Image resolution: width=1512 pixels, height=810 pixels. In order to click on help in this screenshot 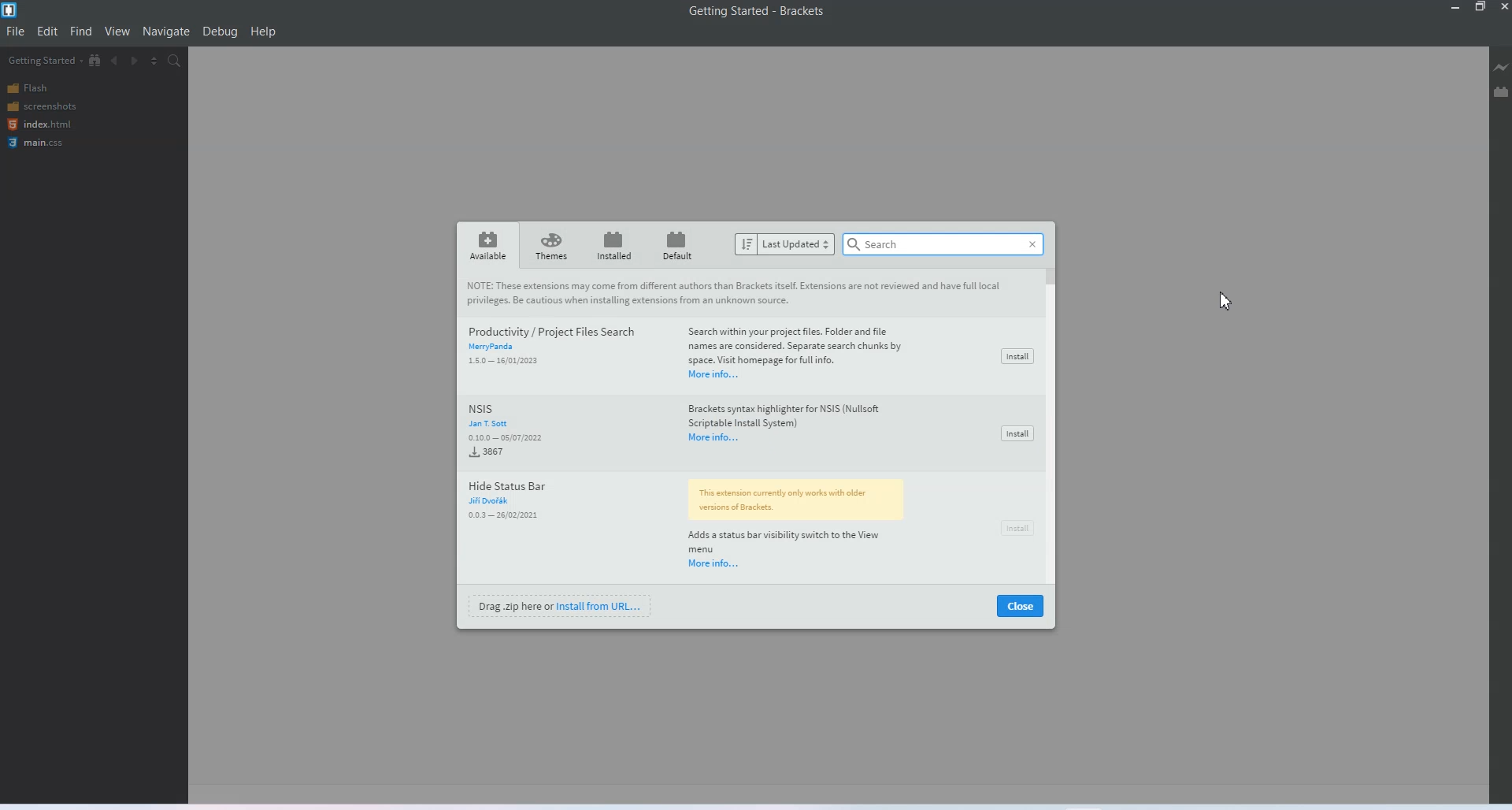, I will do `click(264, 32)`.